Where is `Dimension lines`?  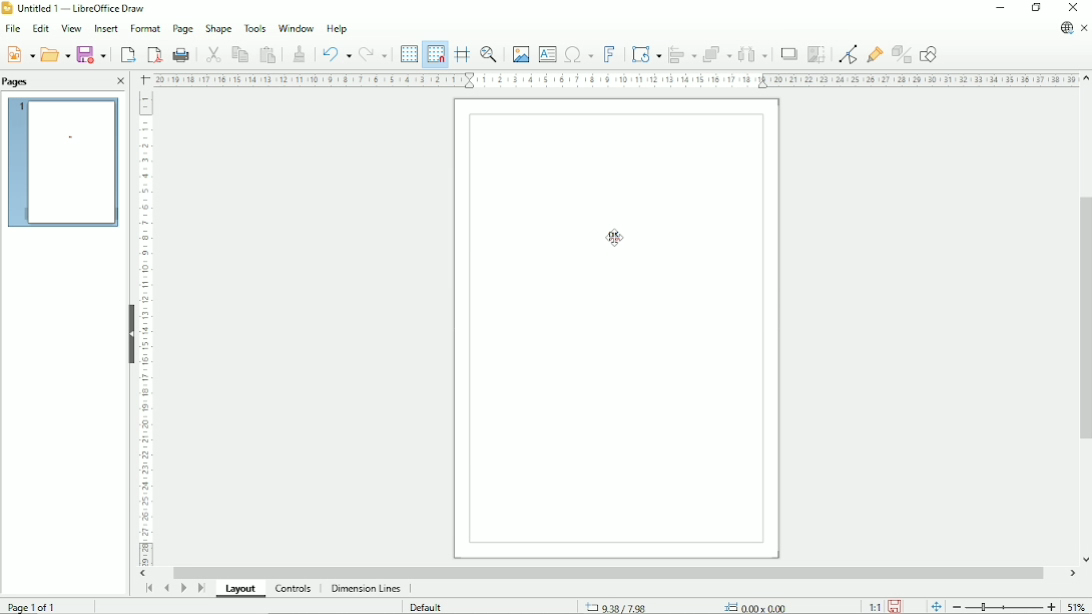
Dimension lines is located at coordinates (366, 588).